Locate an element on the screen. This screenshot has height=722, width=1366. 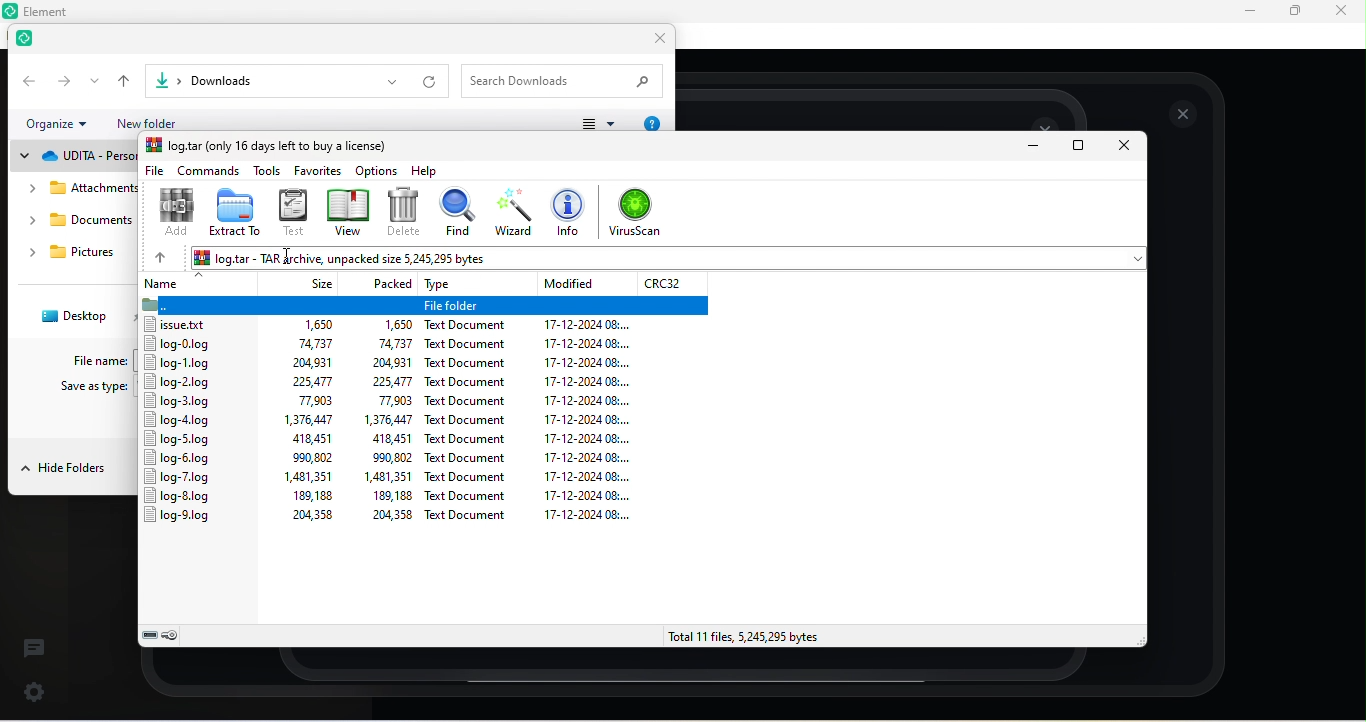
modified date is located at coordinates (569, 287).